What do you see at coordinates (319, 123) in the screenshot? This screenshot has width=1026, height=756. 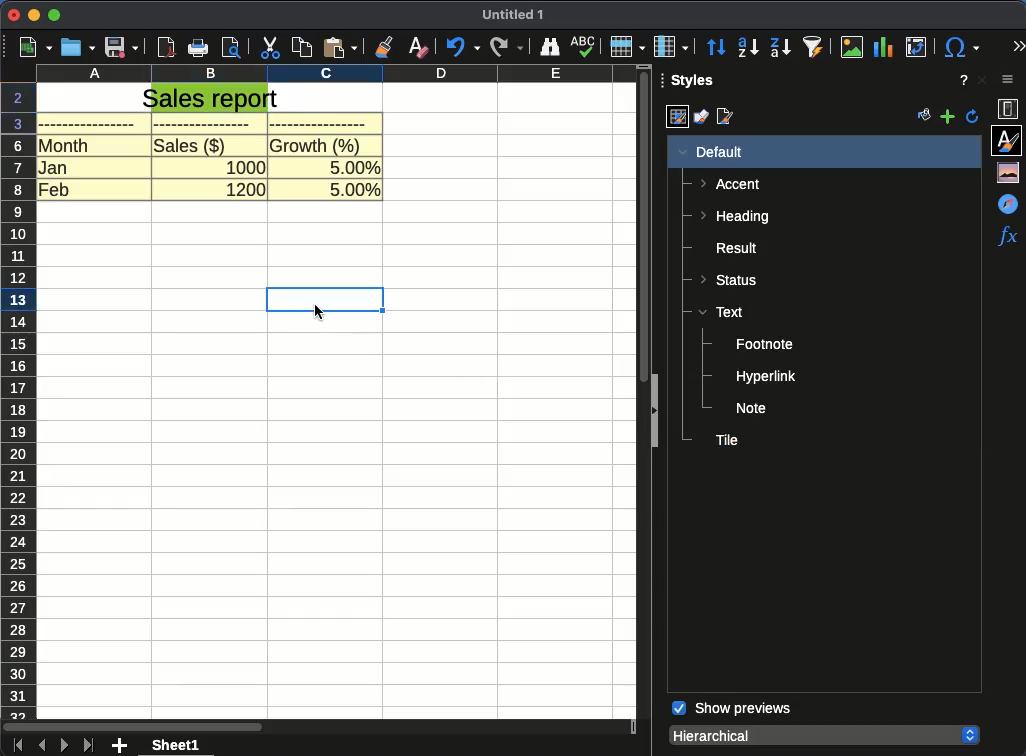 I see `blank` at bounding box center [319, 123].